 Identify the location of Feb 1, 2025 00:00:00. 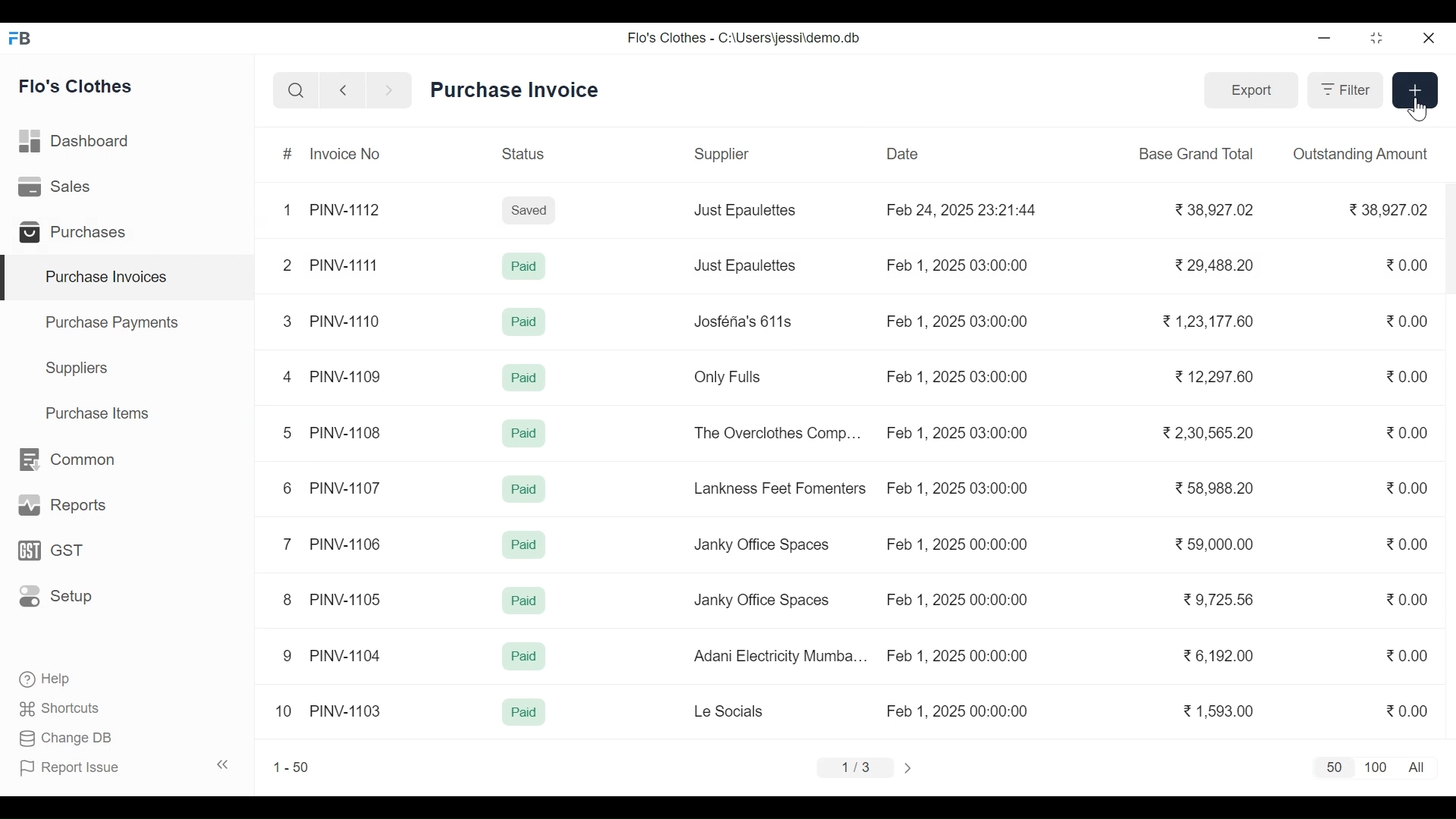
(957, 599).